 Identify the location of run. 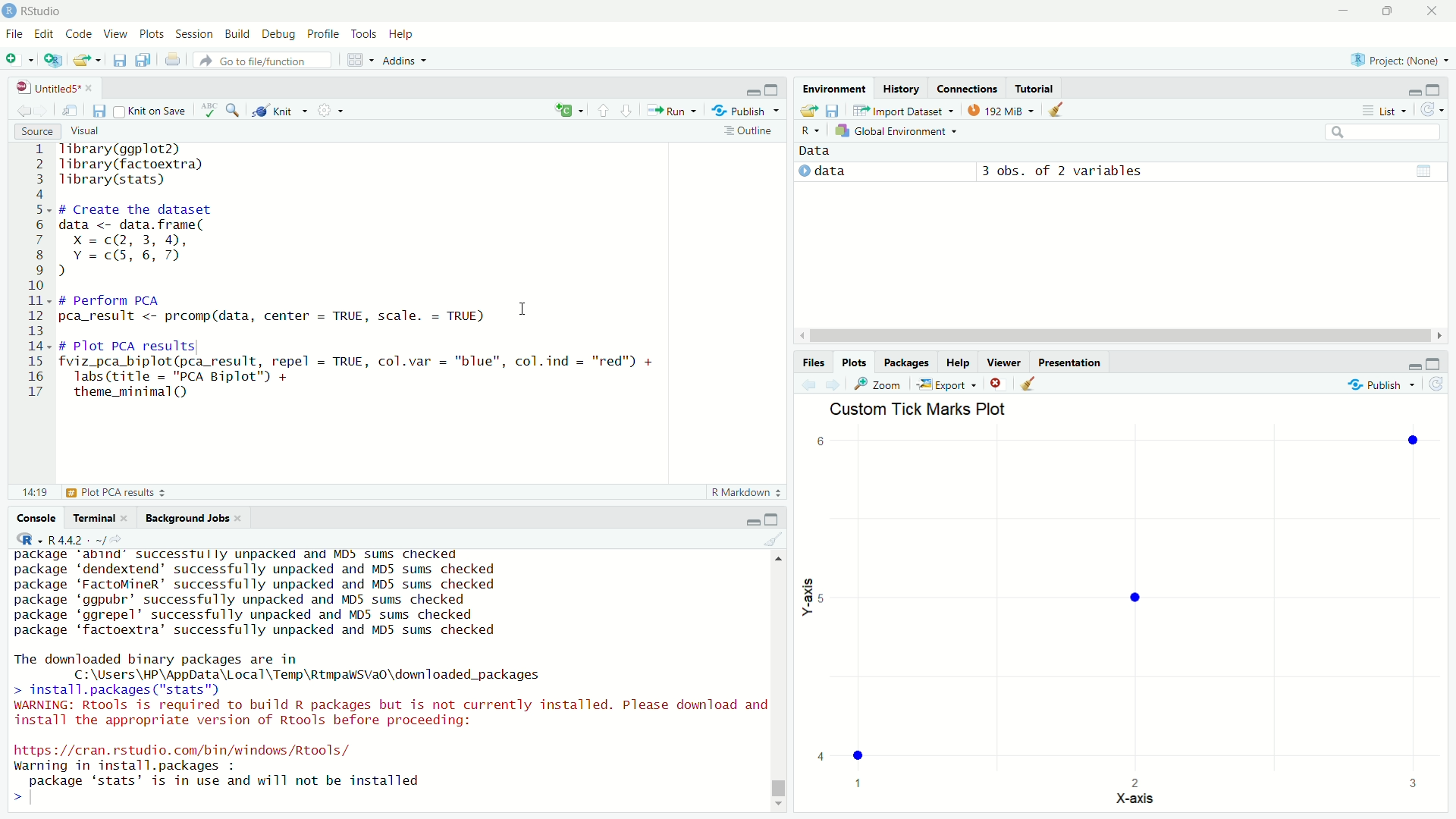
(670, 110).